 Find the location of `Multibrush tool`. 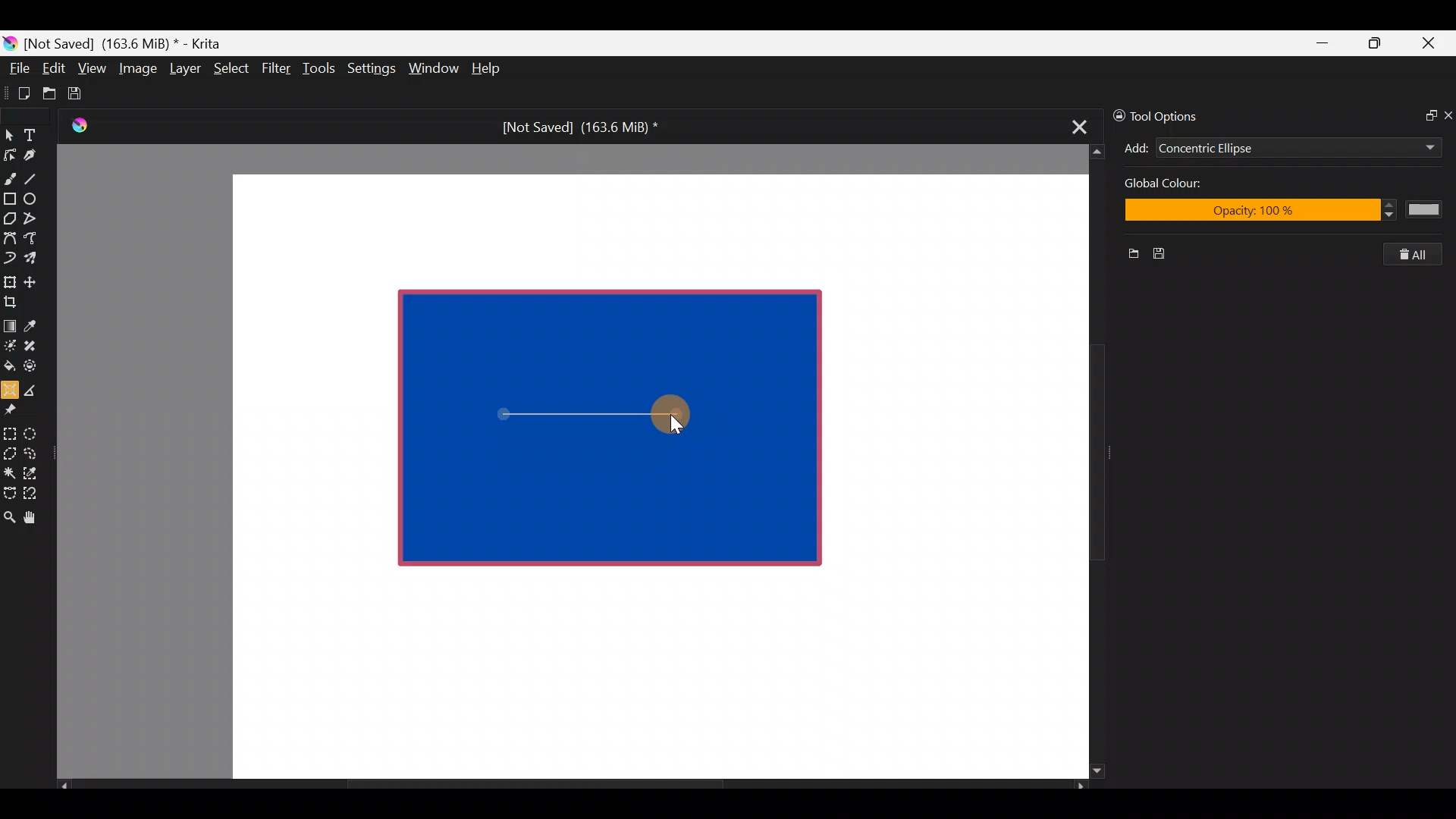

Multibrush tool is located at coordinates (36, 257).